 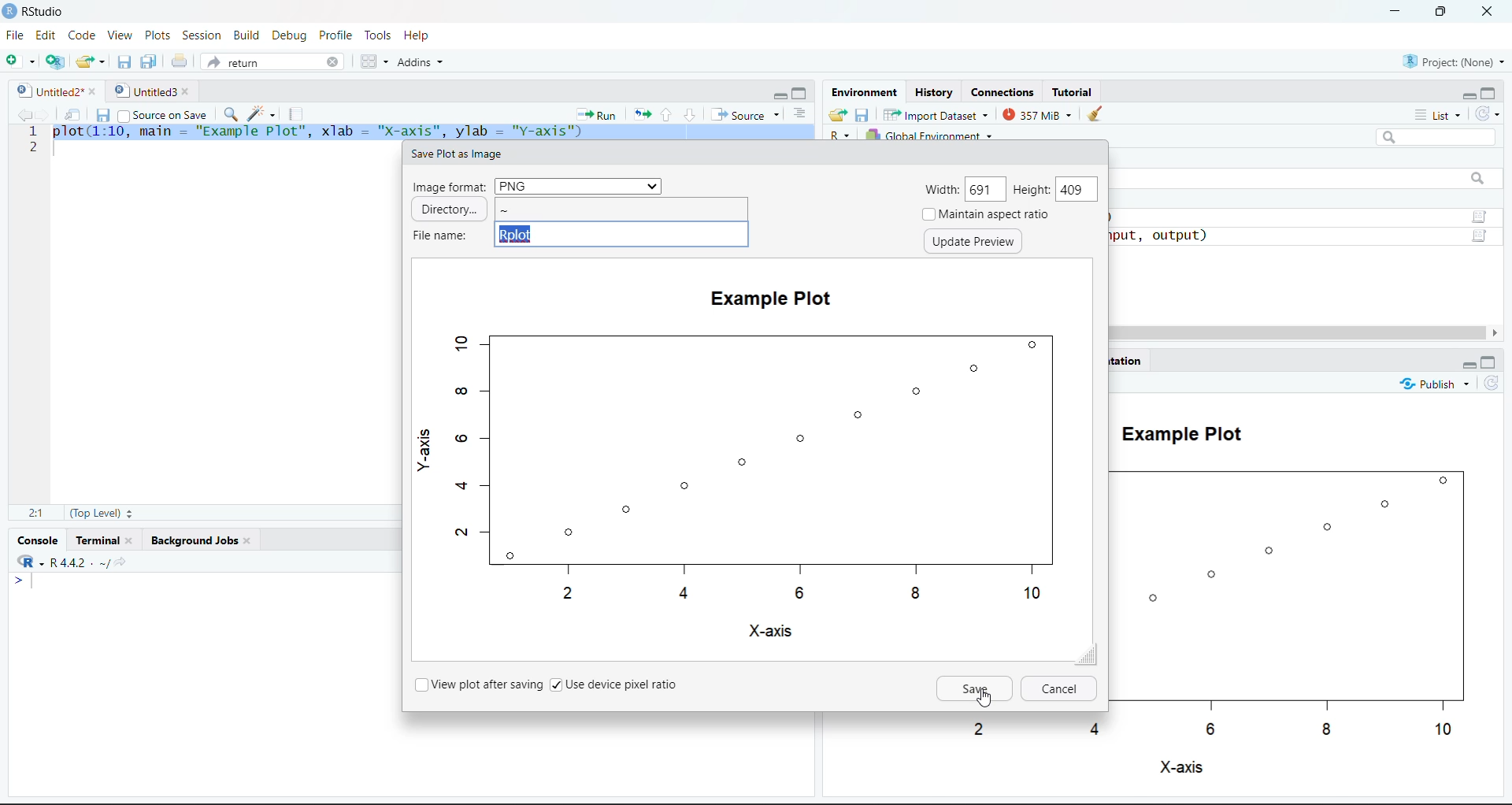 I want to click on Print the current file, so click(x=177, y=61).